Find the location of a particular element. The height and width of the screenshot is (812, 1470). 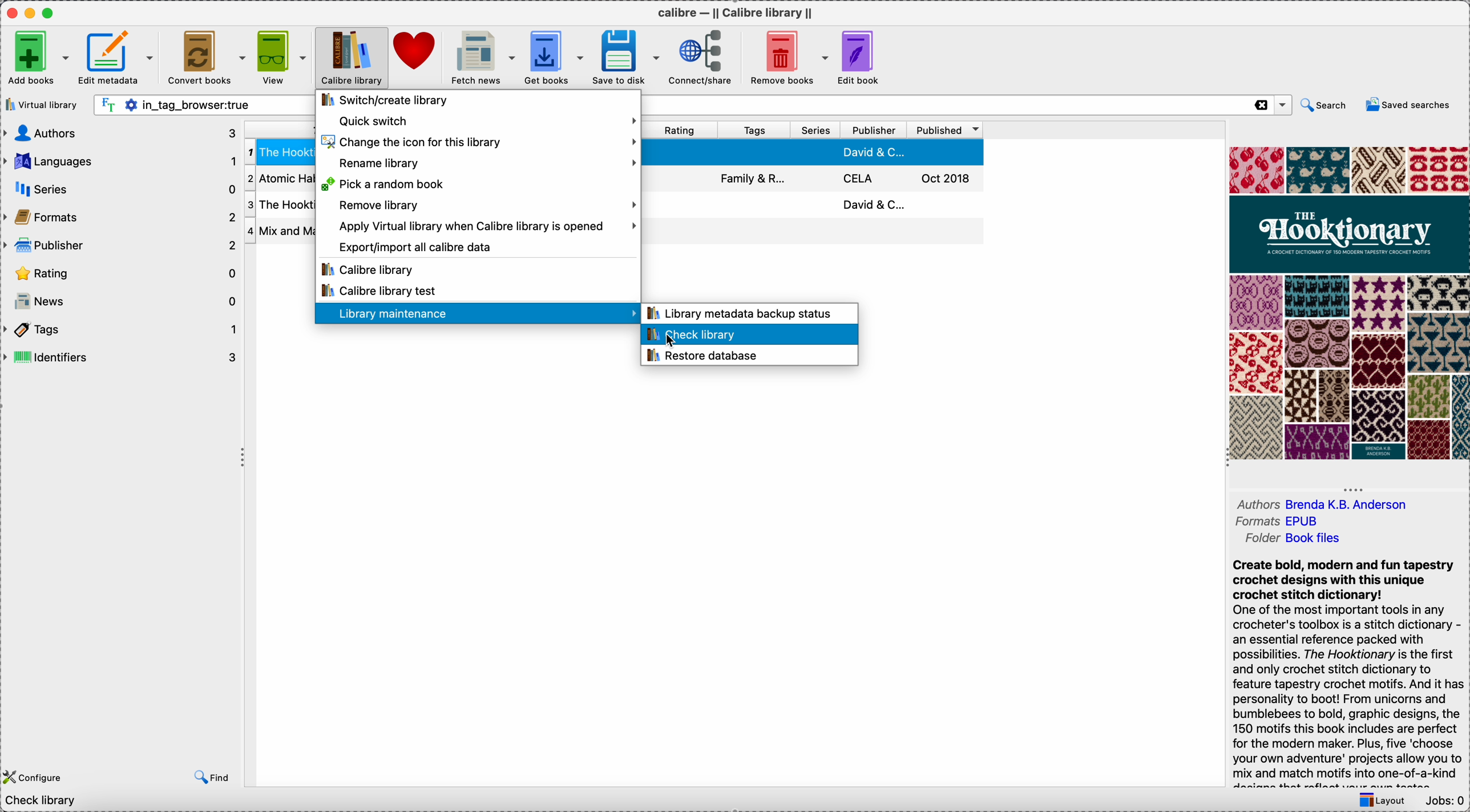

configure is located at coordinates (34, 777).